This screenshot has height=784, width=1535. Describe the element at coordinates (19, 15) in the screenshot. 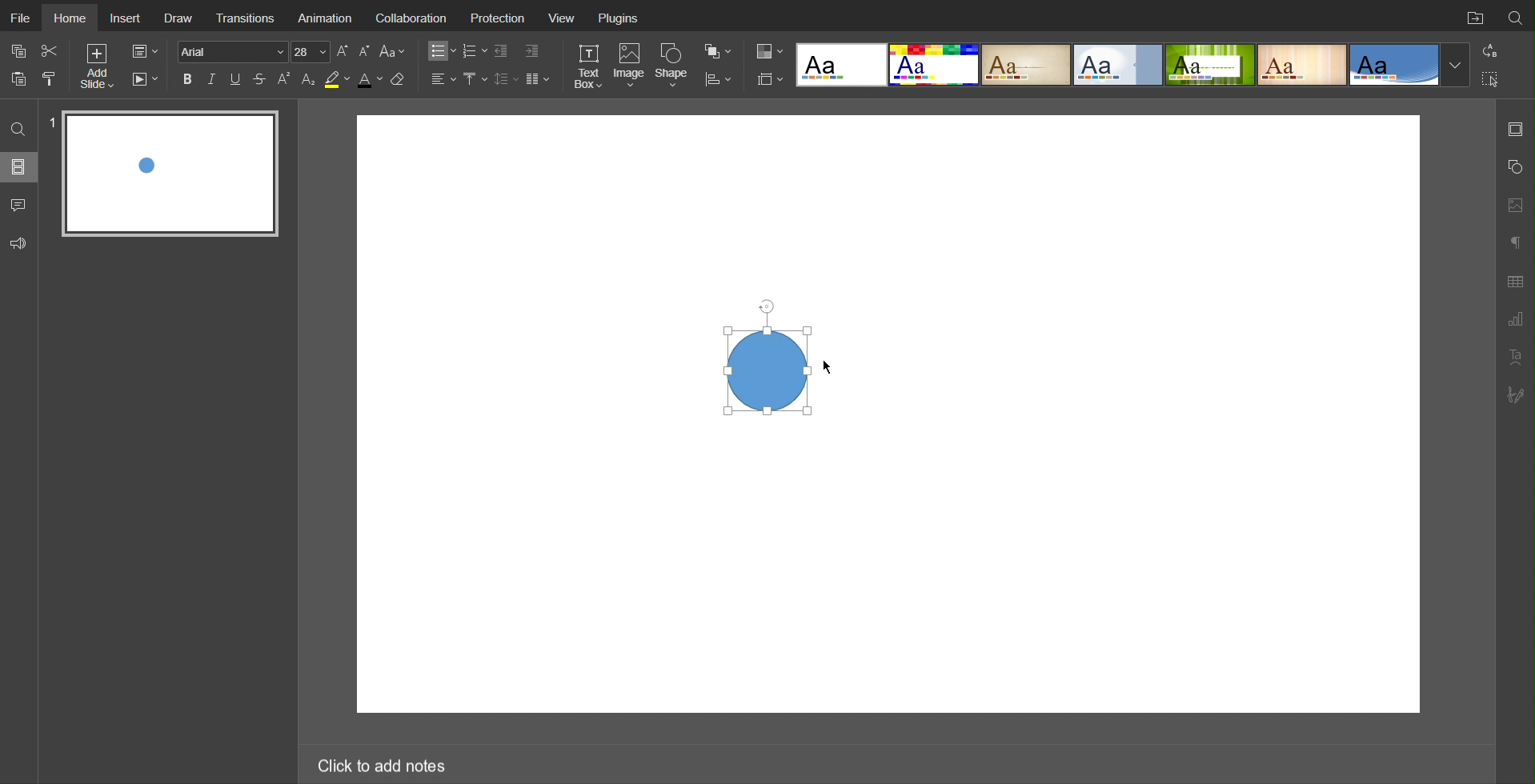

I see `File` at that location.